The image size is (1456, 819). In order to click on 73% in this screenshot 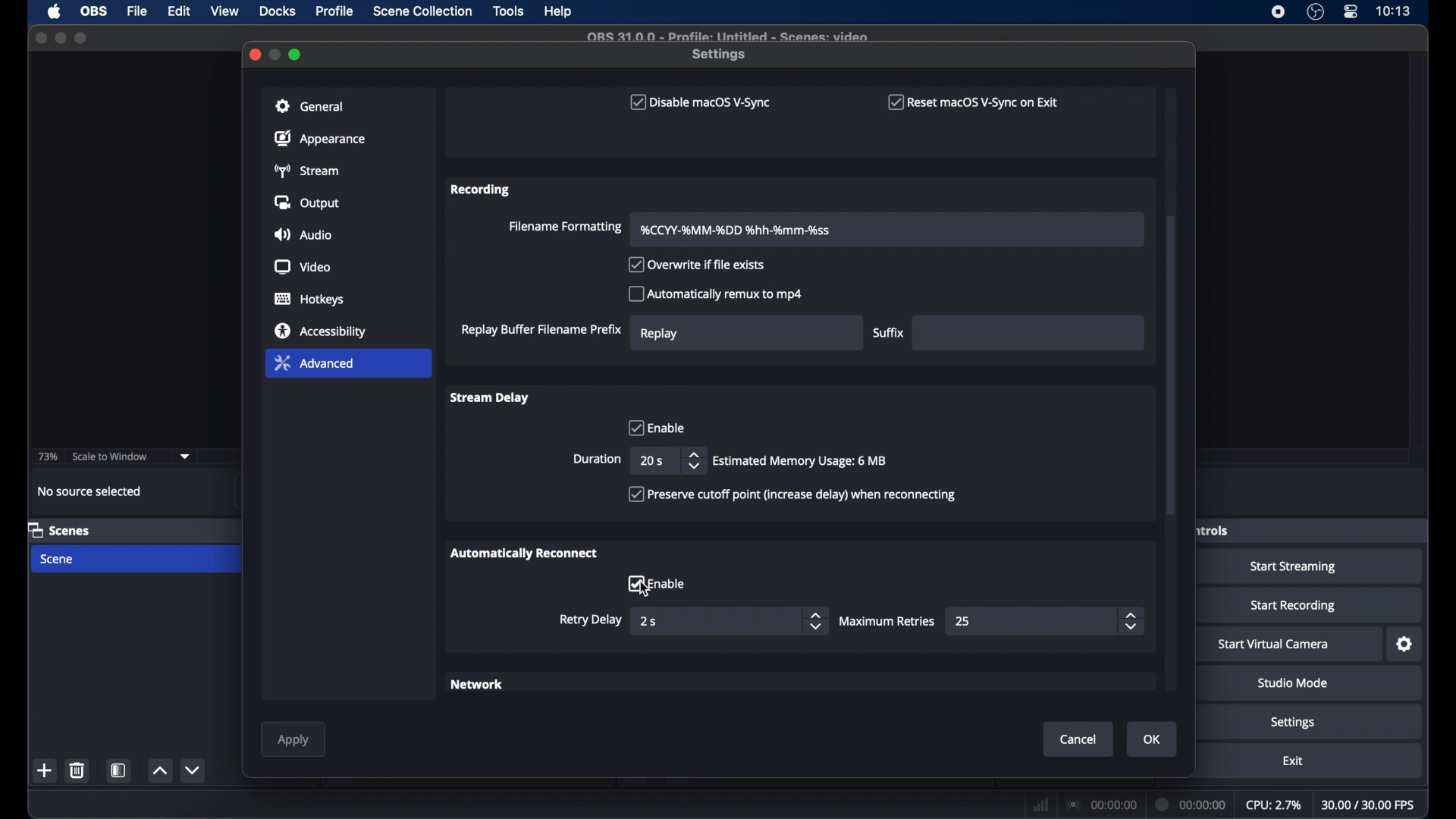, I will do `click(49, 457)`.